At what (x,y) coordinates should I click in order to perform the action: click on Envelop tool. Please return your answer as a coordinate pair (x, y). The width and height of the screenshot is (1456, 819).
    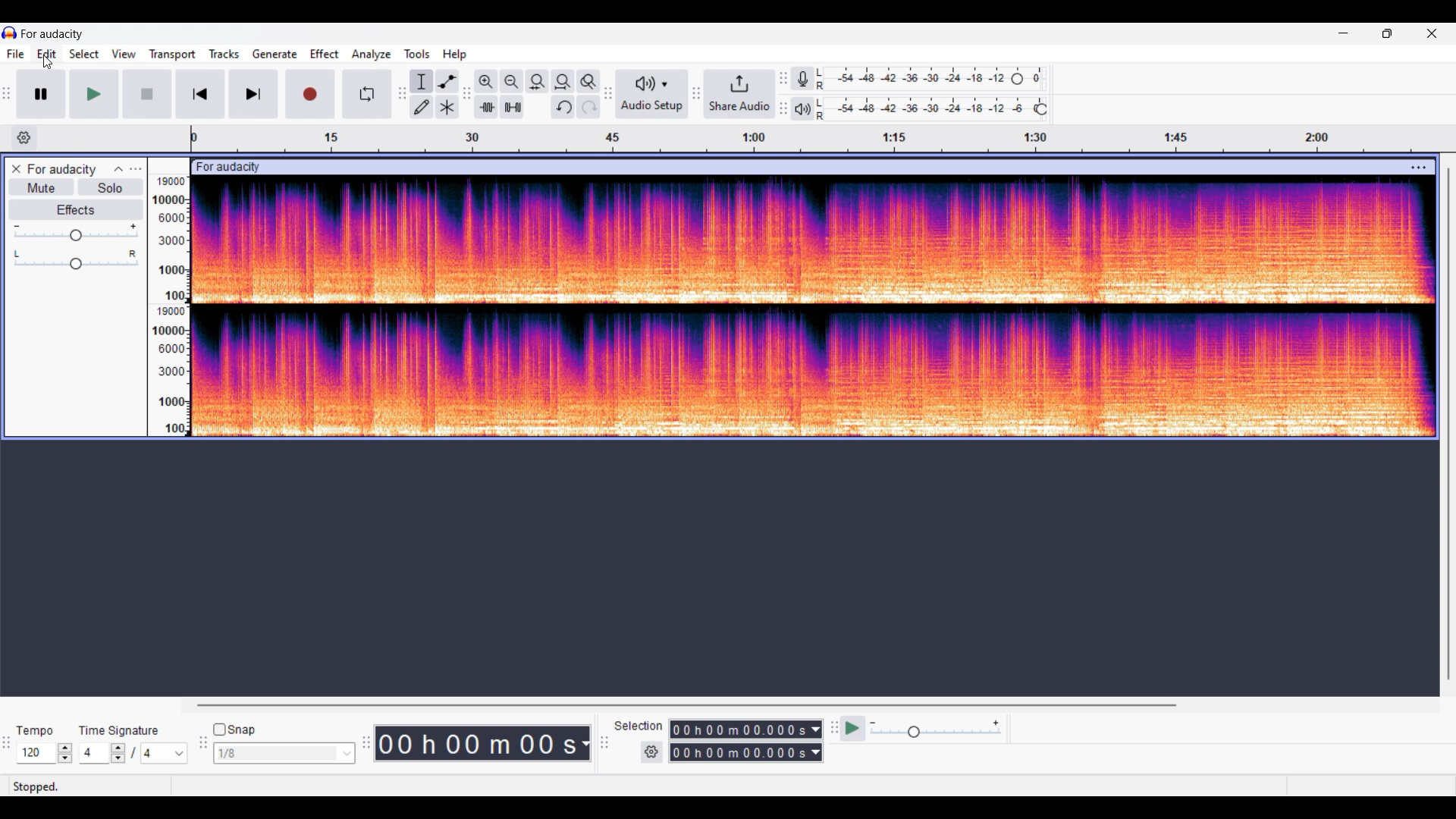
    Looking at the image, I should click on (447, 82).